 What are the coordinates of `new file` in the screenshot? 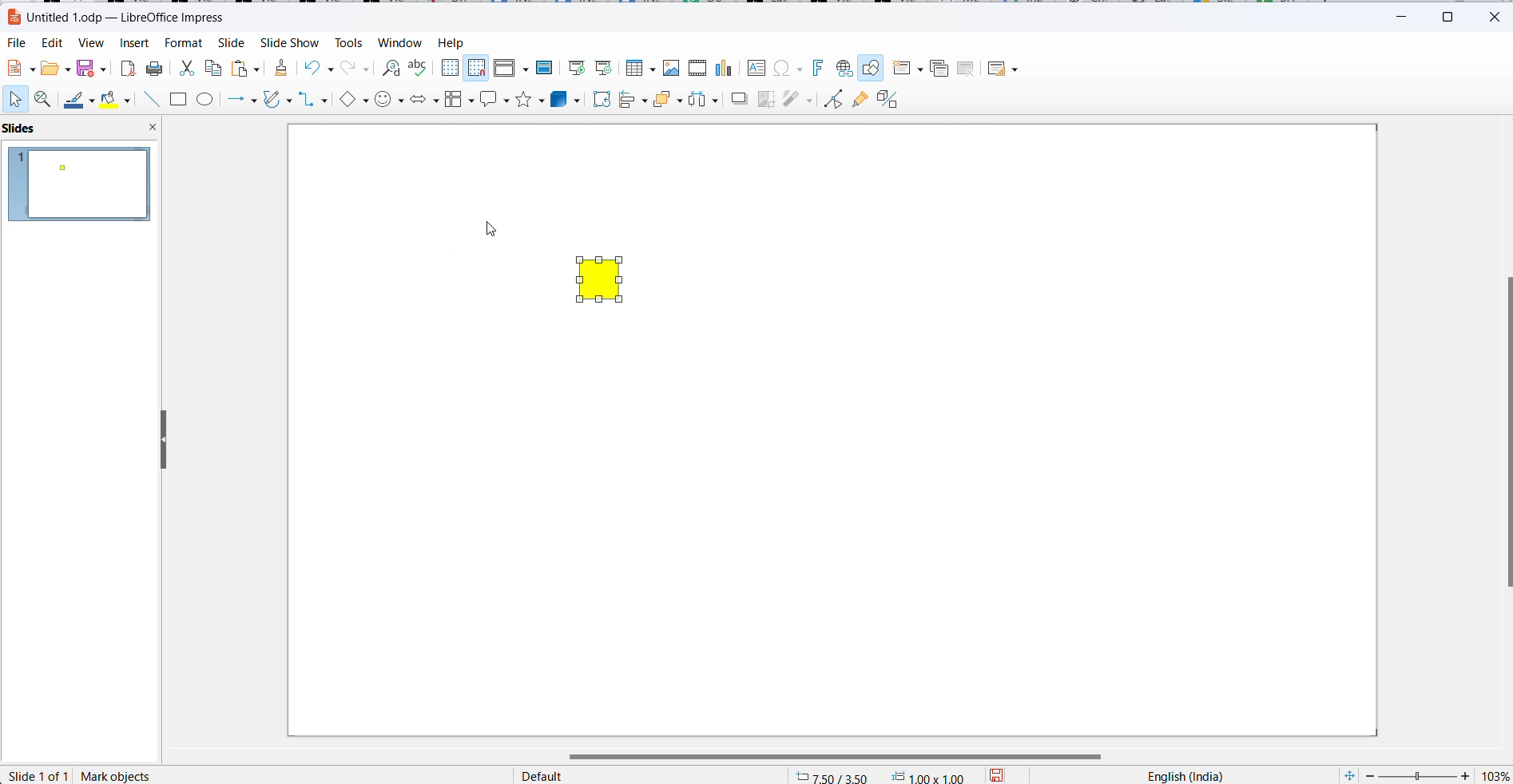 It's located at (19, 69).